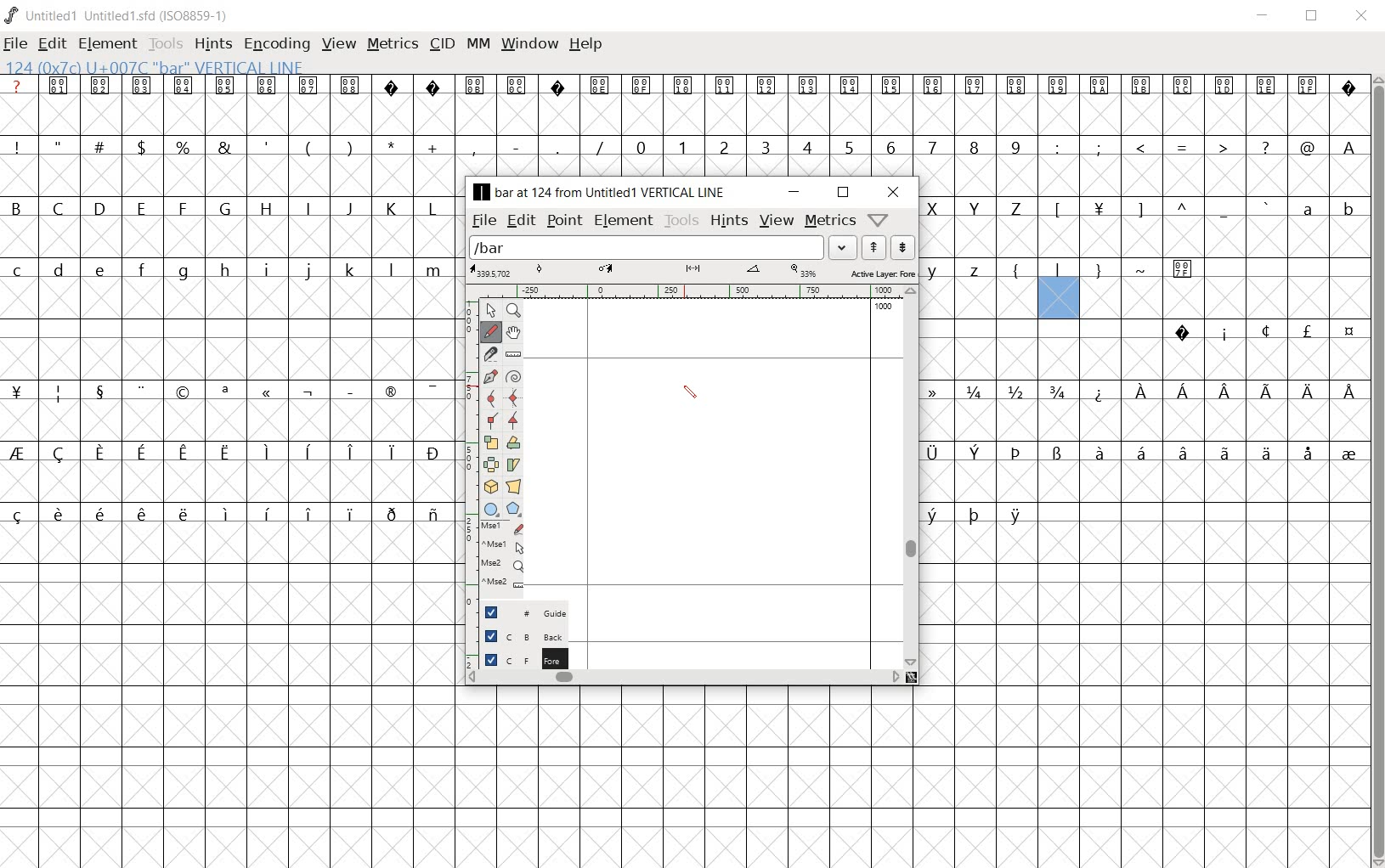  What do you see at coordinates (514, 465) in the screenshot?
I see `skew the selection` at bounding box center [514, 465].